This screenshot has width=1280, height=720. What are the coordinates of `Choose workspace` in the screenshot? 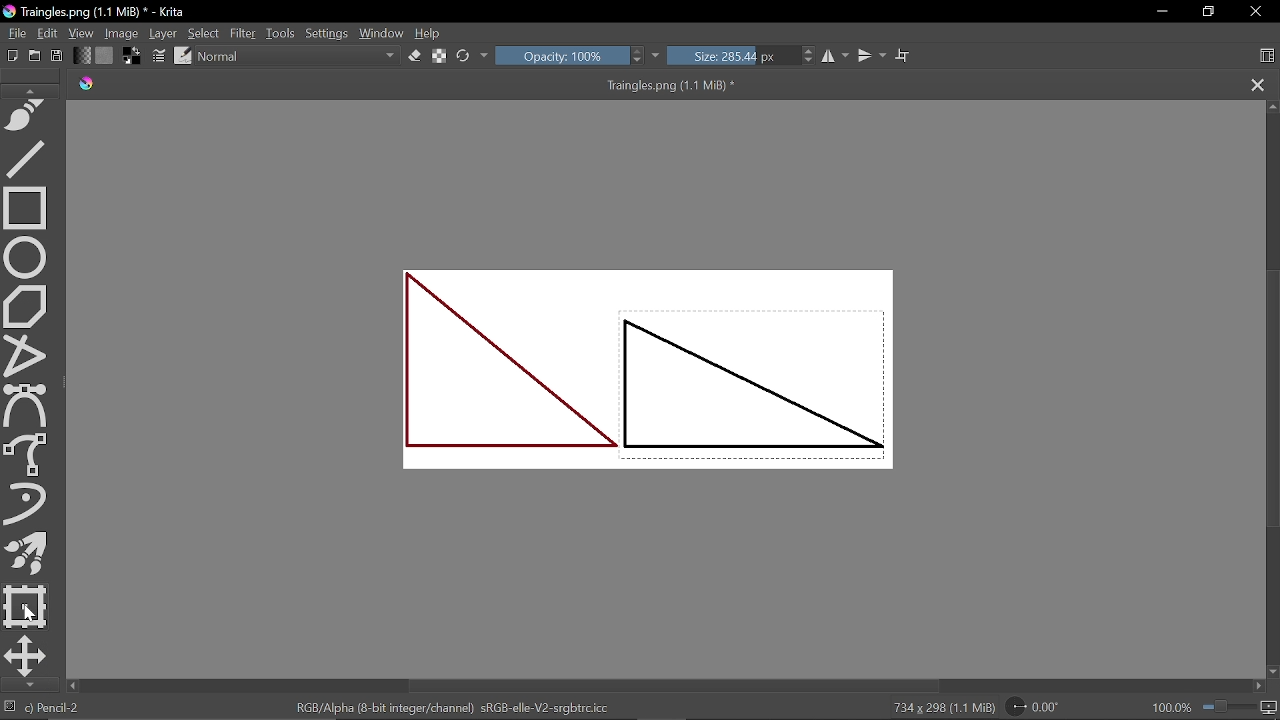 It's located at (1266, 58).